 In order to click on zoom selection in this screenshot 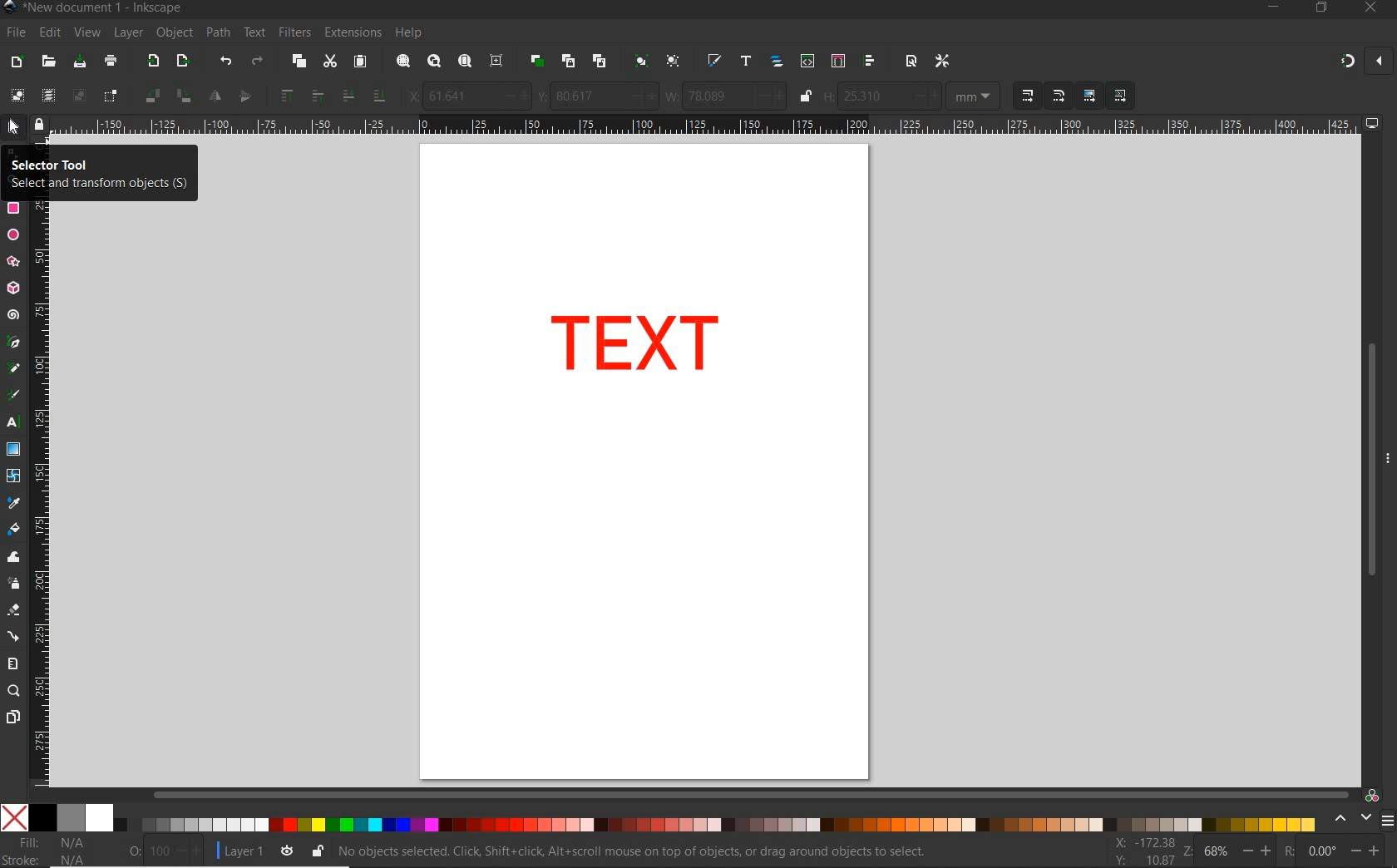, I will do `click(402, 62)`.